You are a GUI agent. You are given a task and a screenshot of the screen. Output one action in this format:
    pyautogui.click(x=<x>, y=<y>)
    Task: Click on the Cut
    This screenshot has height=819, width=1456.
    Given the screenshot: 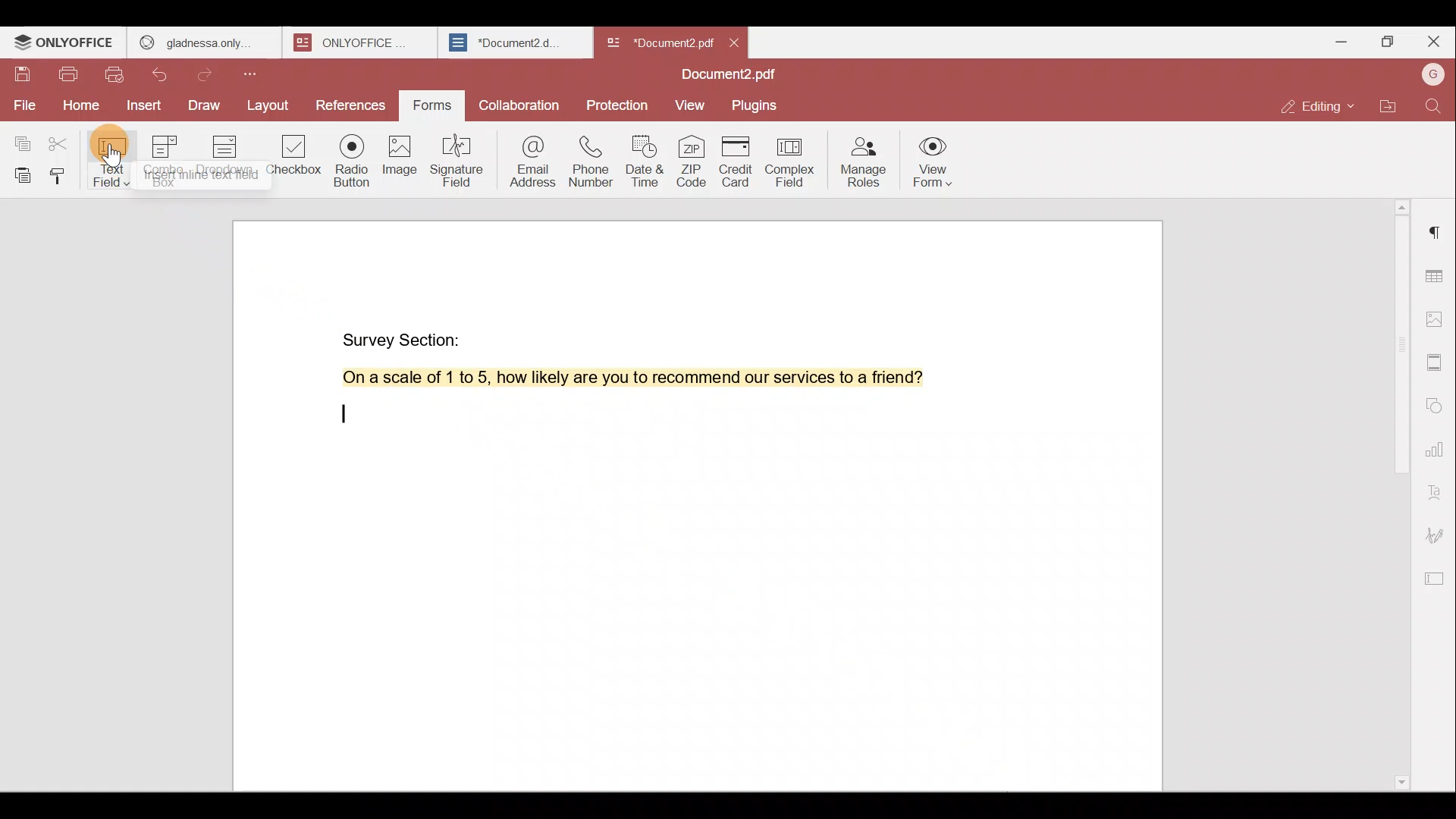 What is the action you would take?
    pyautogui.click(x=64, y=140)
    